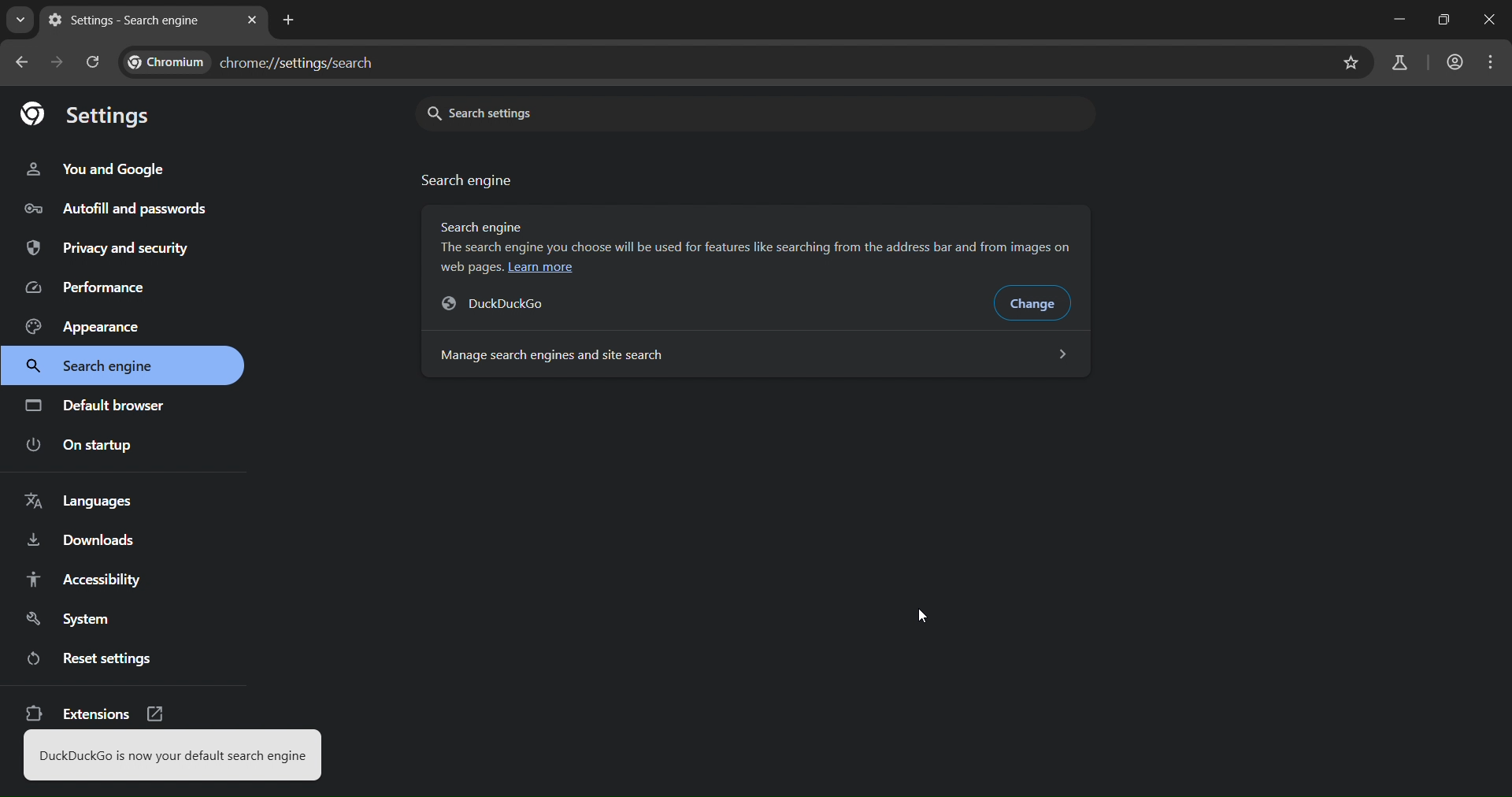 This screenshot has width=1512, height=797. I want to click on manage search engines and site search, so click(753, 354).